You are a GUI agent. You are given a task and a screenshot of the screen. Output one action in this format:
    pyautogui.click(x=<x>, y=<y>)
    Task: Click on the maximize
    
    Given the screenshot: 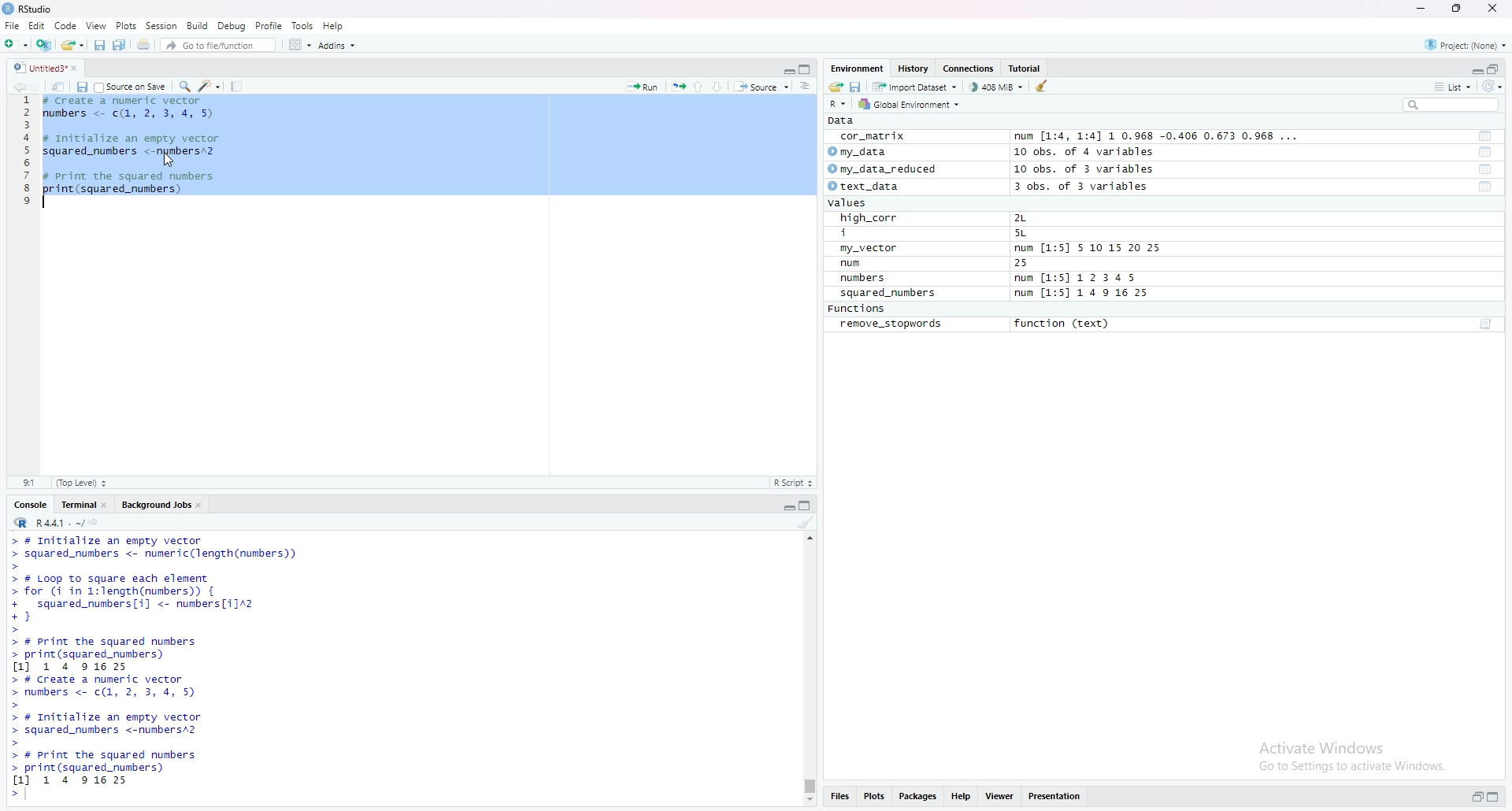 What is the action you would take?
    pyautogui.click(x=807, y=69)
    